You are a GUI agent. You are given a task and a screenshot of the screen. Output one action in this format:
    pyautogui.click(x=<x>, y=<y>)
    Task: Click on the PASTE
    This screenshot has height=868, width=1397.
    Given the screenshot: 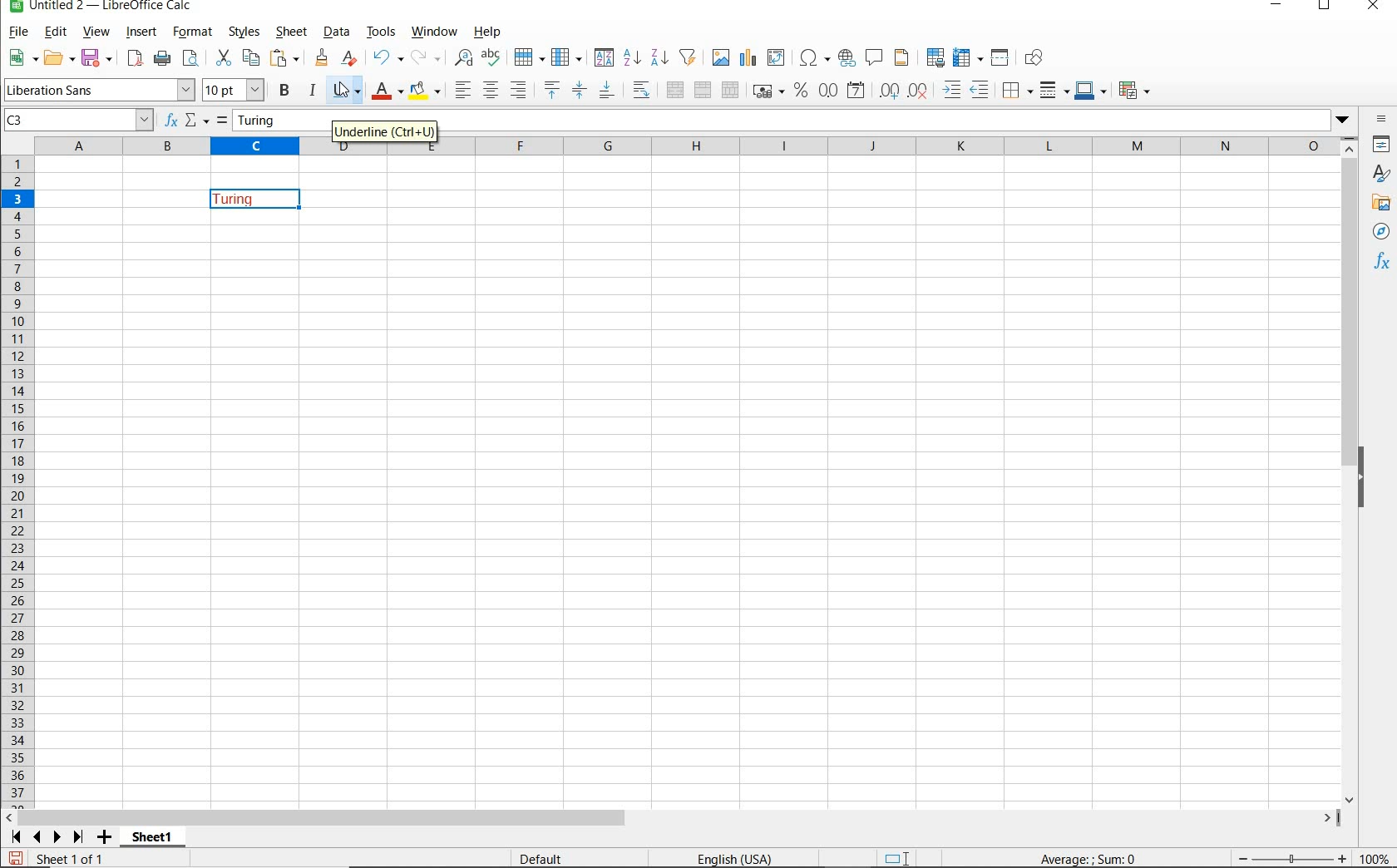 What is the action you would take?
    pyautogui.click(x=193, y=58)
    